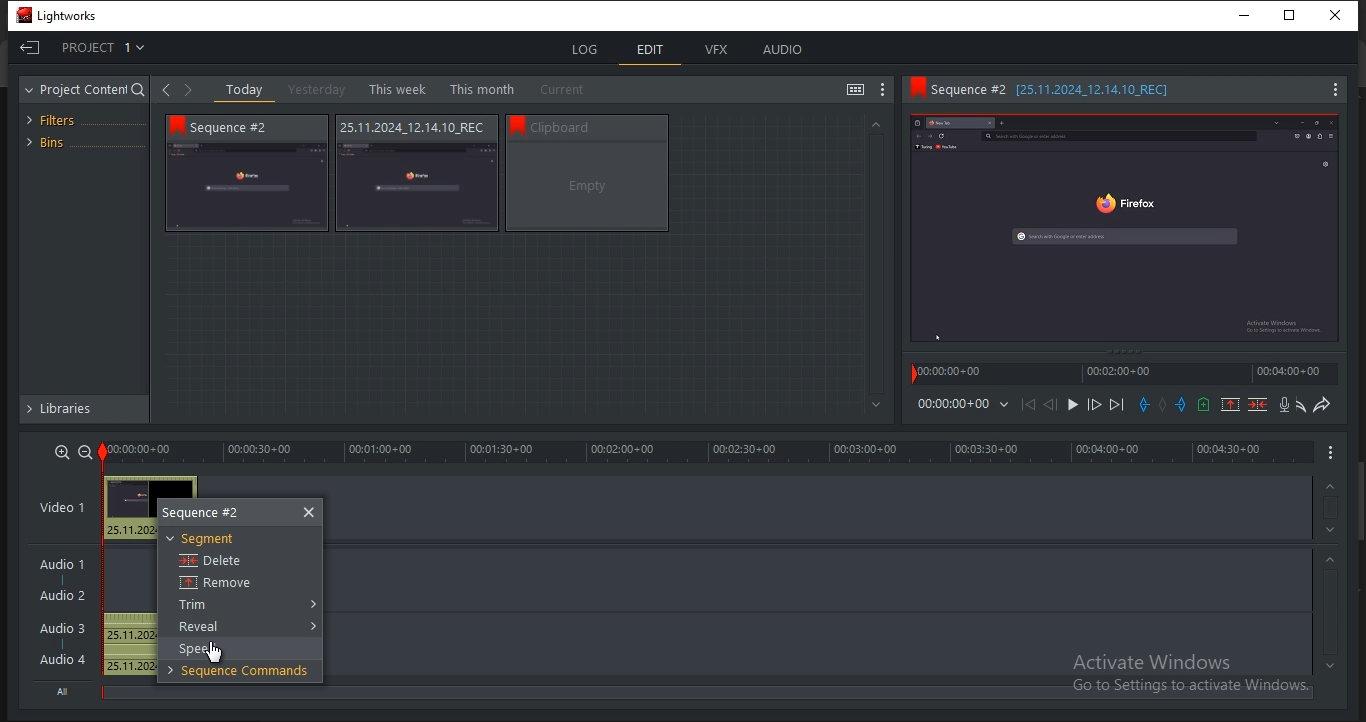 This screenshot has width=1366, height=722. Describe the element at coordinates (130, 531) in the screenshot. I see `25.11.2024_12.14` at that location.